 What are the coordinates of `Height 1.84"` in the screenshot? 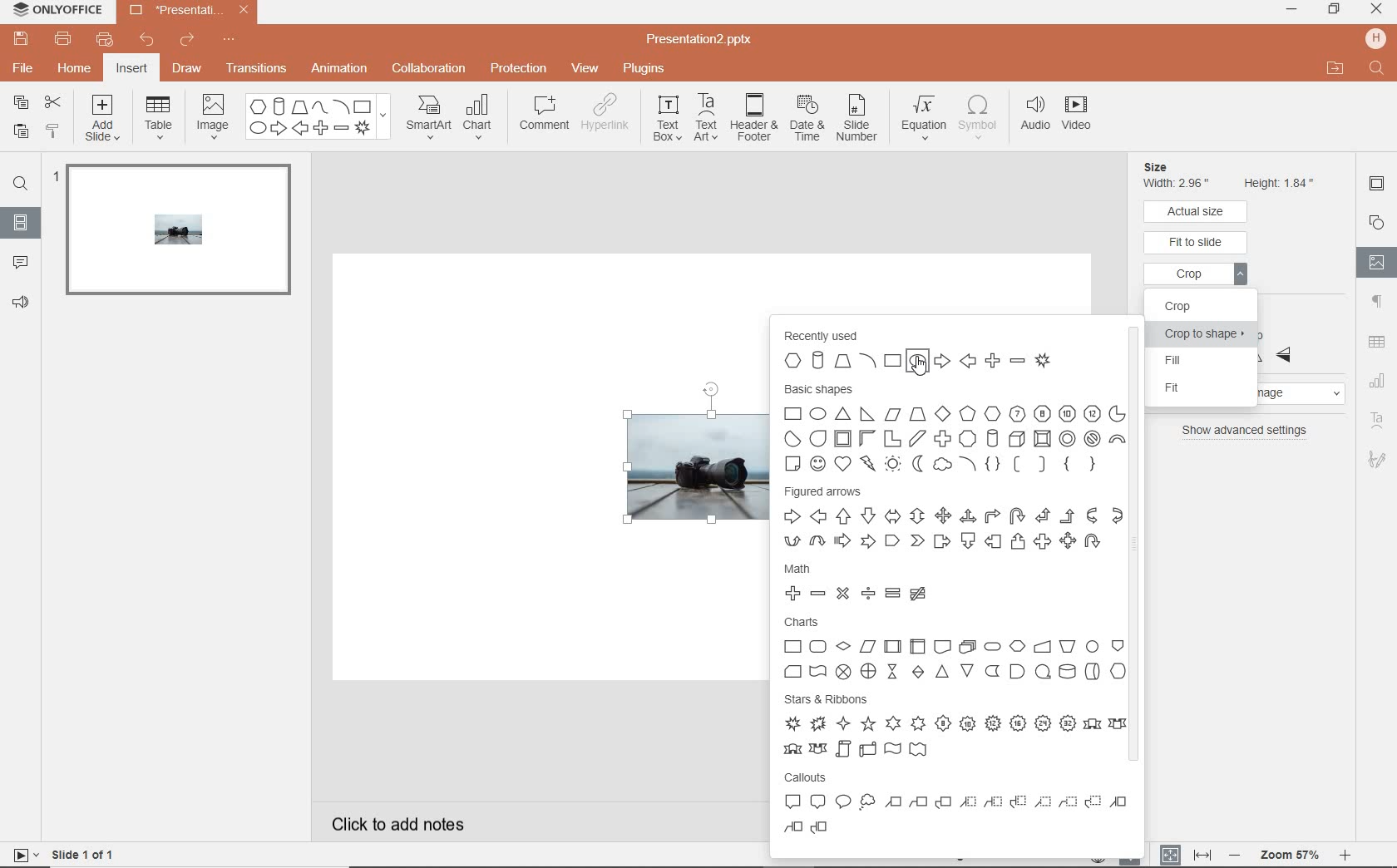 It's located at (1281, 181).